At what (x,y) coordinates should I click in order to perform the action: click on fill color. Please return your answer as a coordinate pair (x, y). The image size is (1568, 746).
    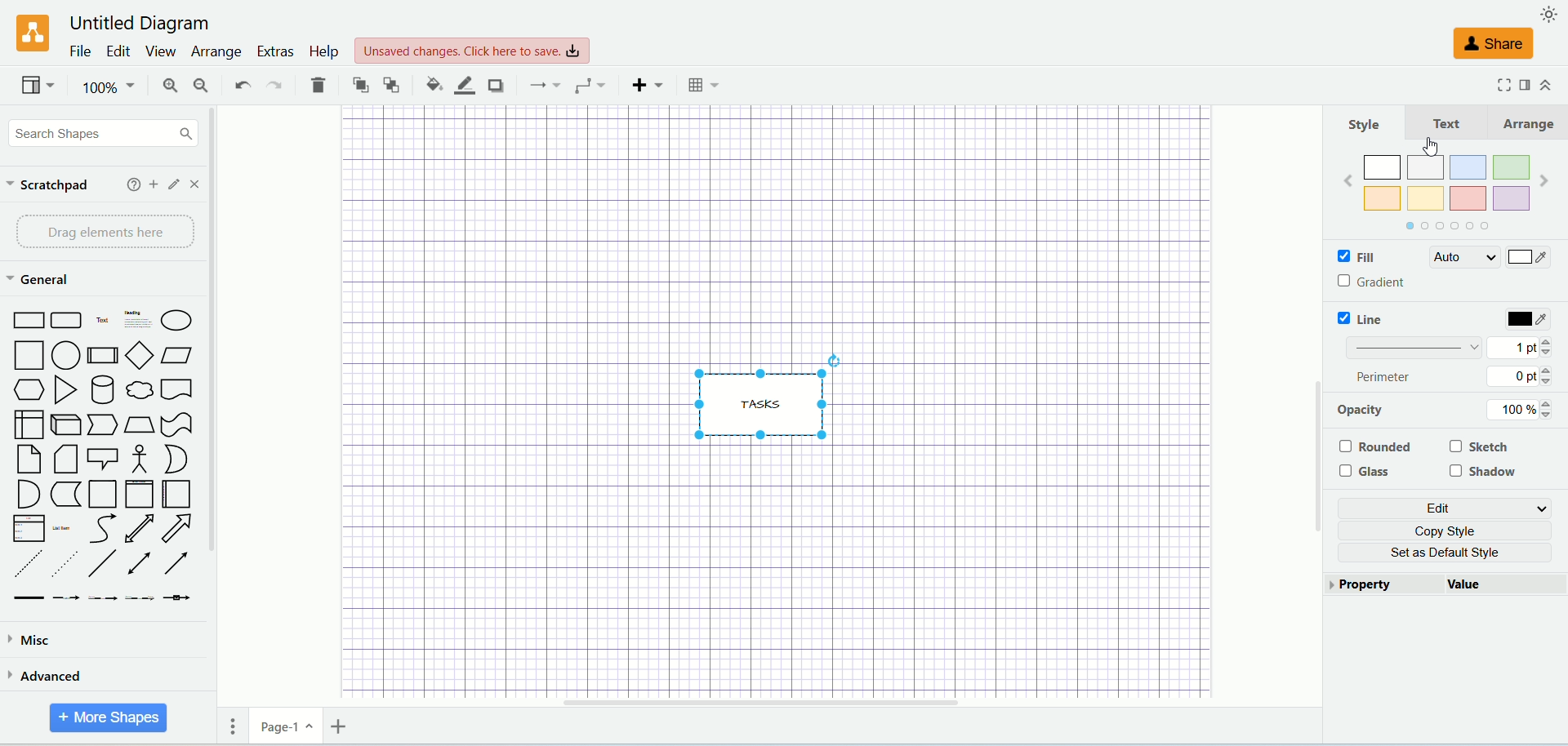
    Looking at the image, I should click on (426, 84).